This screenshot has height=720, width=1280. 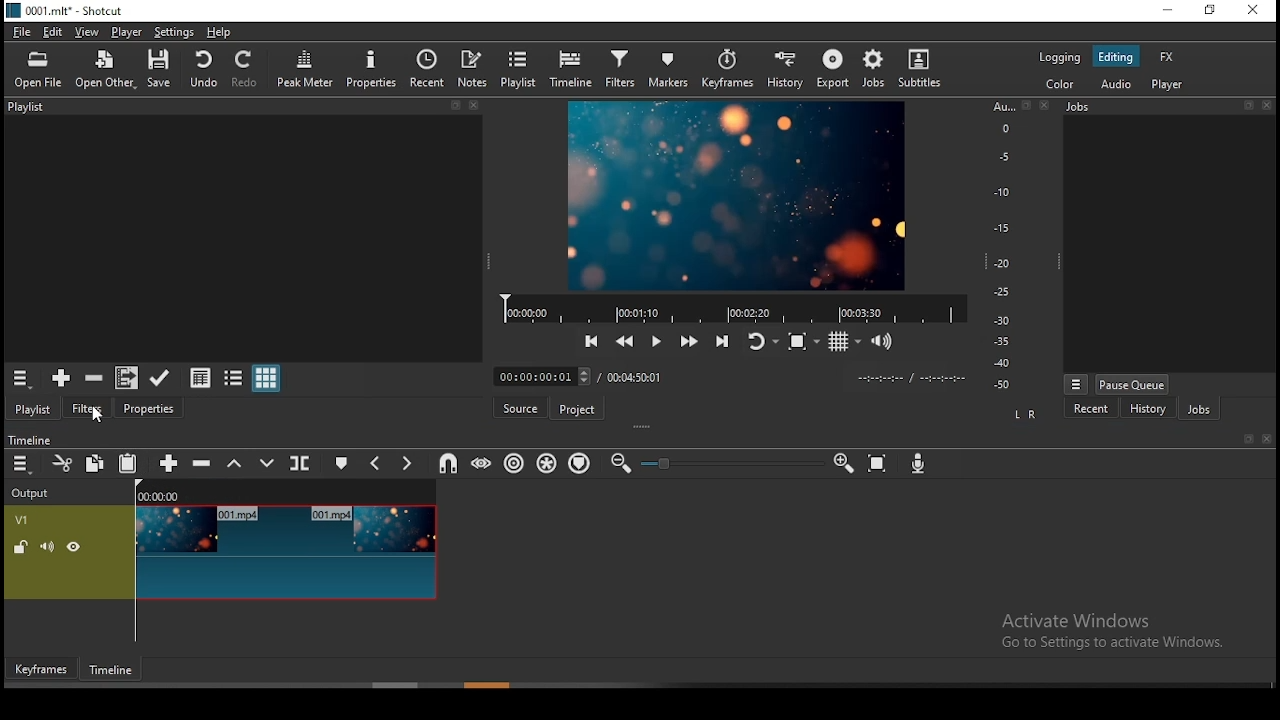 What do you see at coordinates (1007, 247) in the screenshot?
I see `scale` at bounding box center [1007, 247].